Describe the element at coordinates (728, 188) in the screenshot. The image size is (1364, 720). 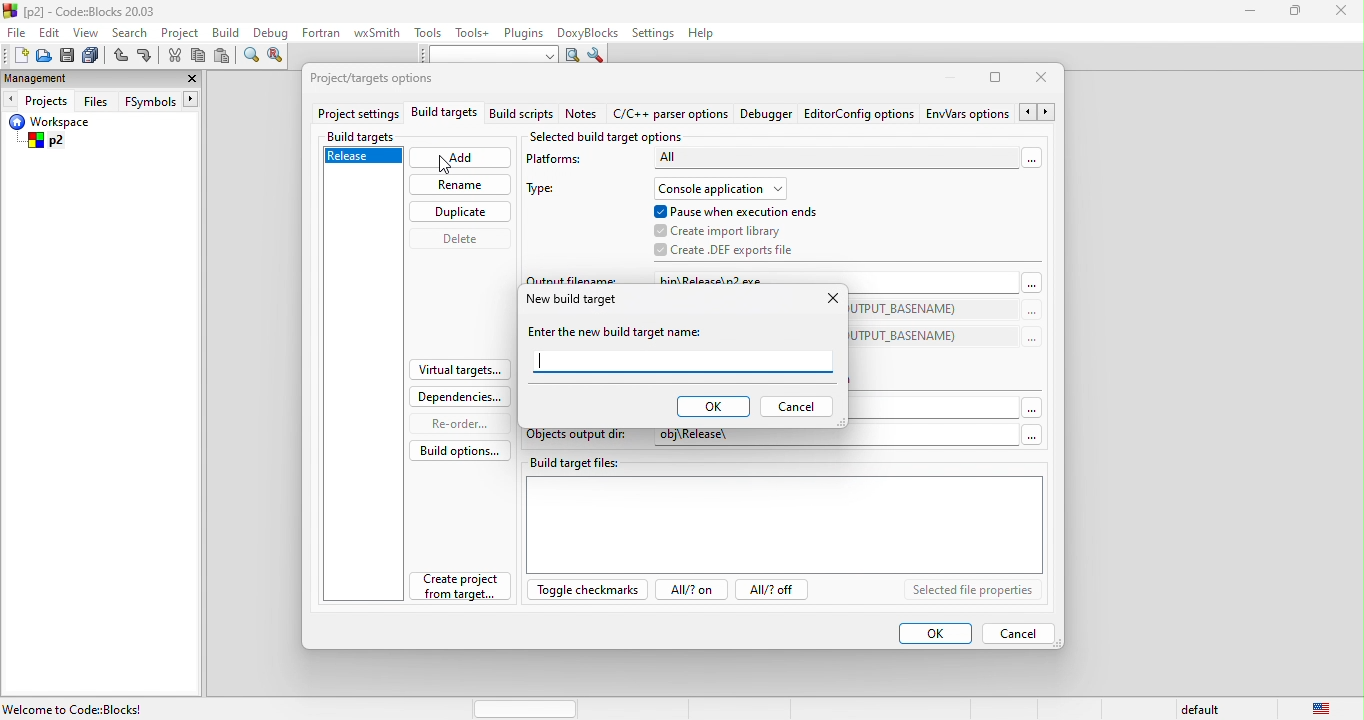
I see `console application` at that location.